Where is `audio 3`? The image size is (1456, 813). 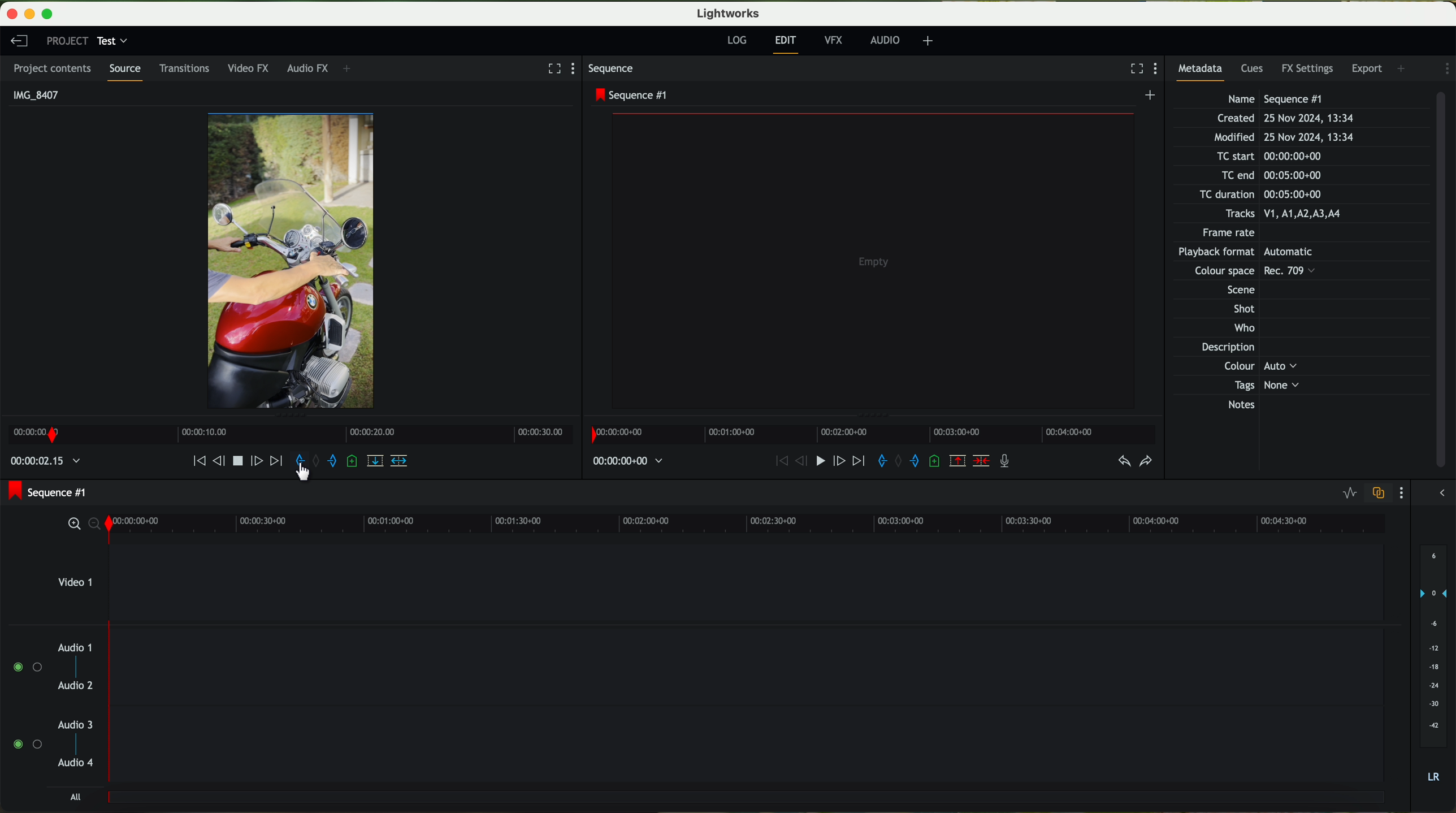 audio 3 is located at coordinates (76, 724).